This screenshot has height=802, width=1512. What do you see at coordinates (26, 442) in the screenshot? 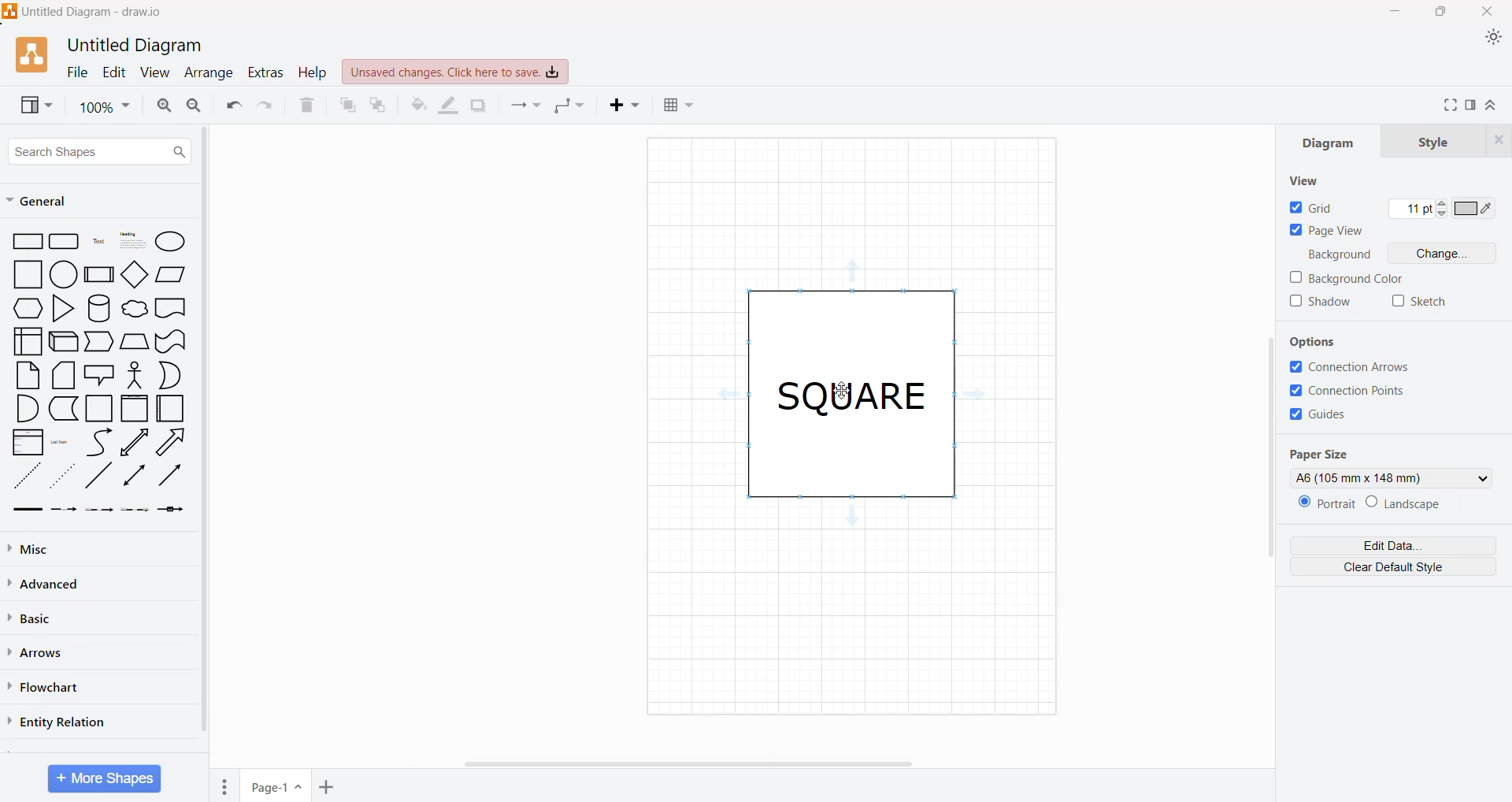
I see `List Box` at bounding box center [26, 442].